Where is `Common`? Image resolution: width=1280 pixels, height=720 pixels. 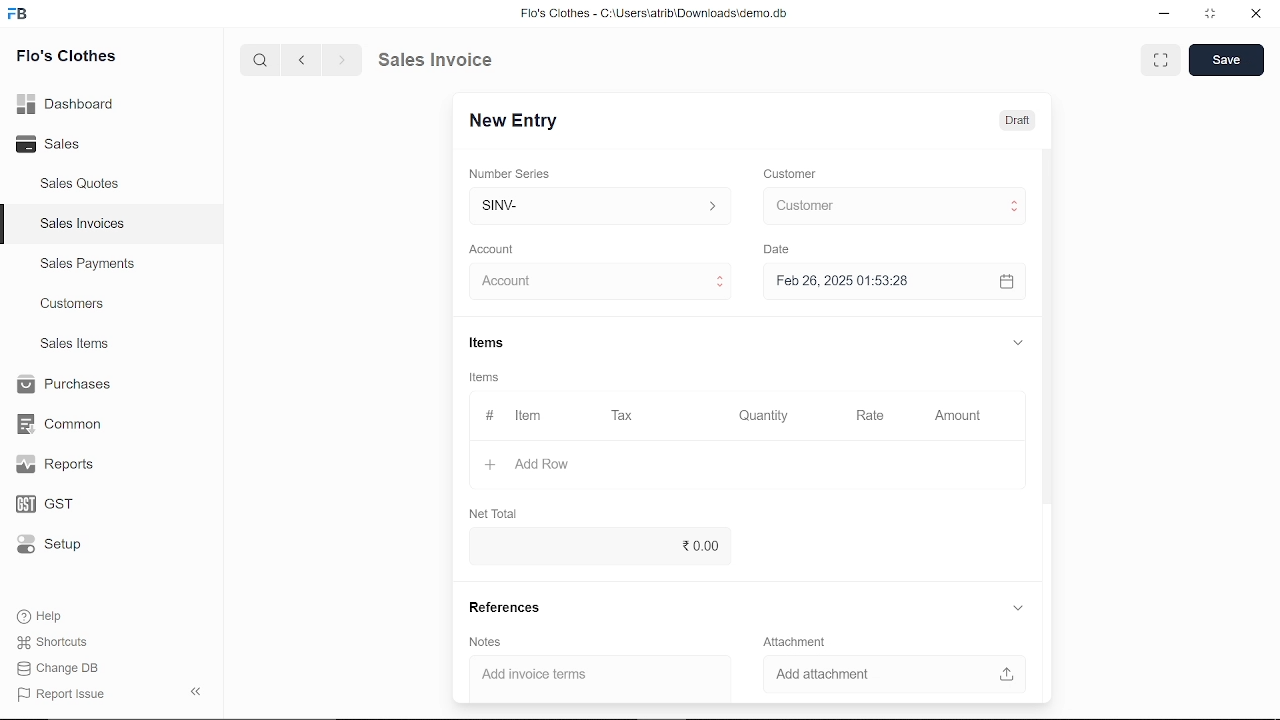 Common is located at coordinates (62, 424).